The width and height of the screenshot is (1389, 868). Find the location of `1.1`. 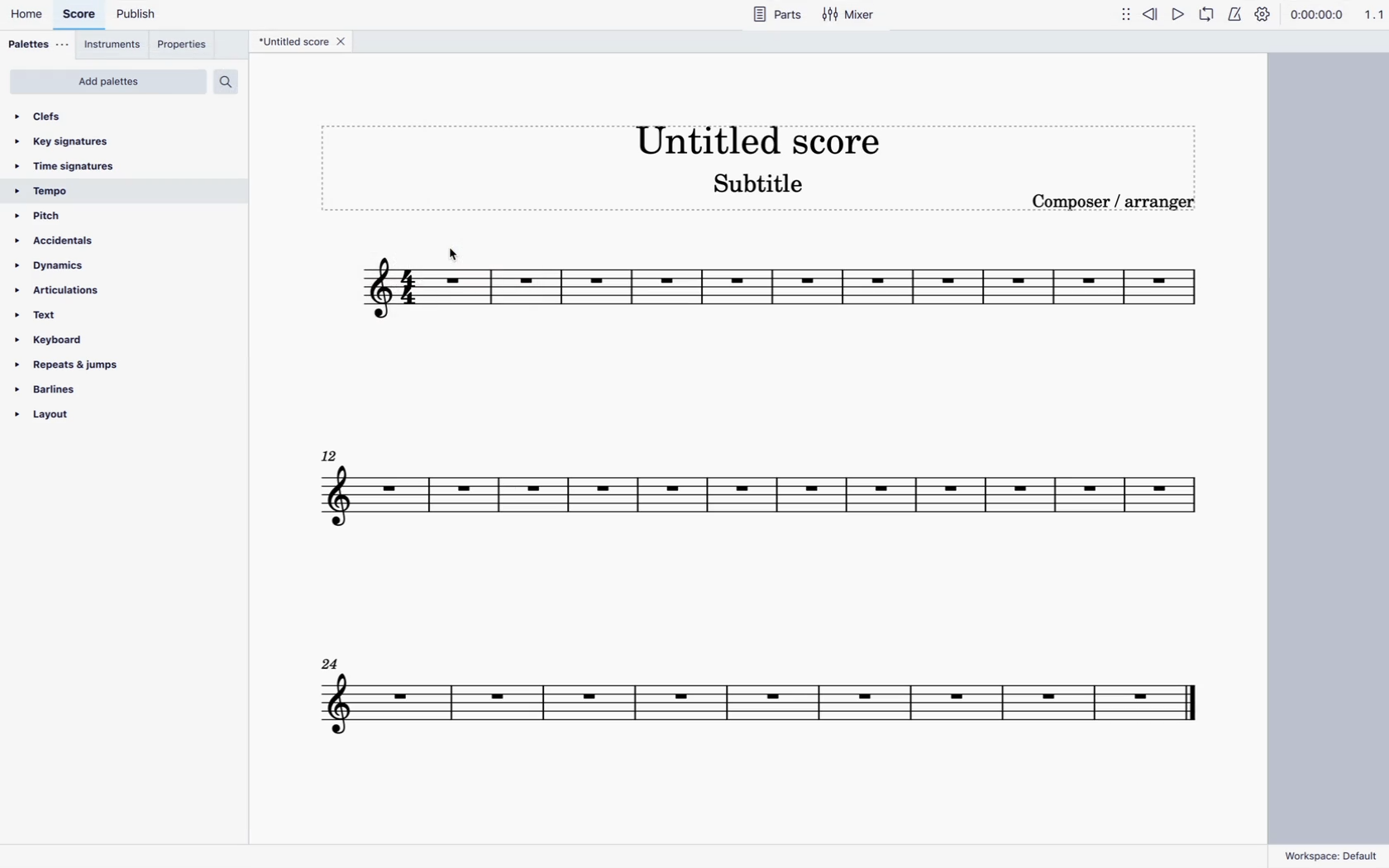

1.1 is located at coordinates (1371, 13).